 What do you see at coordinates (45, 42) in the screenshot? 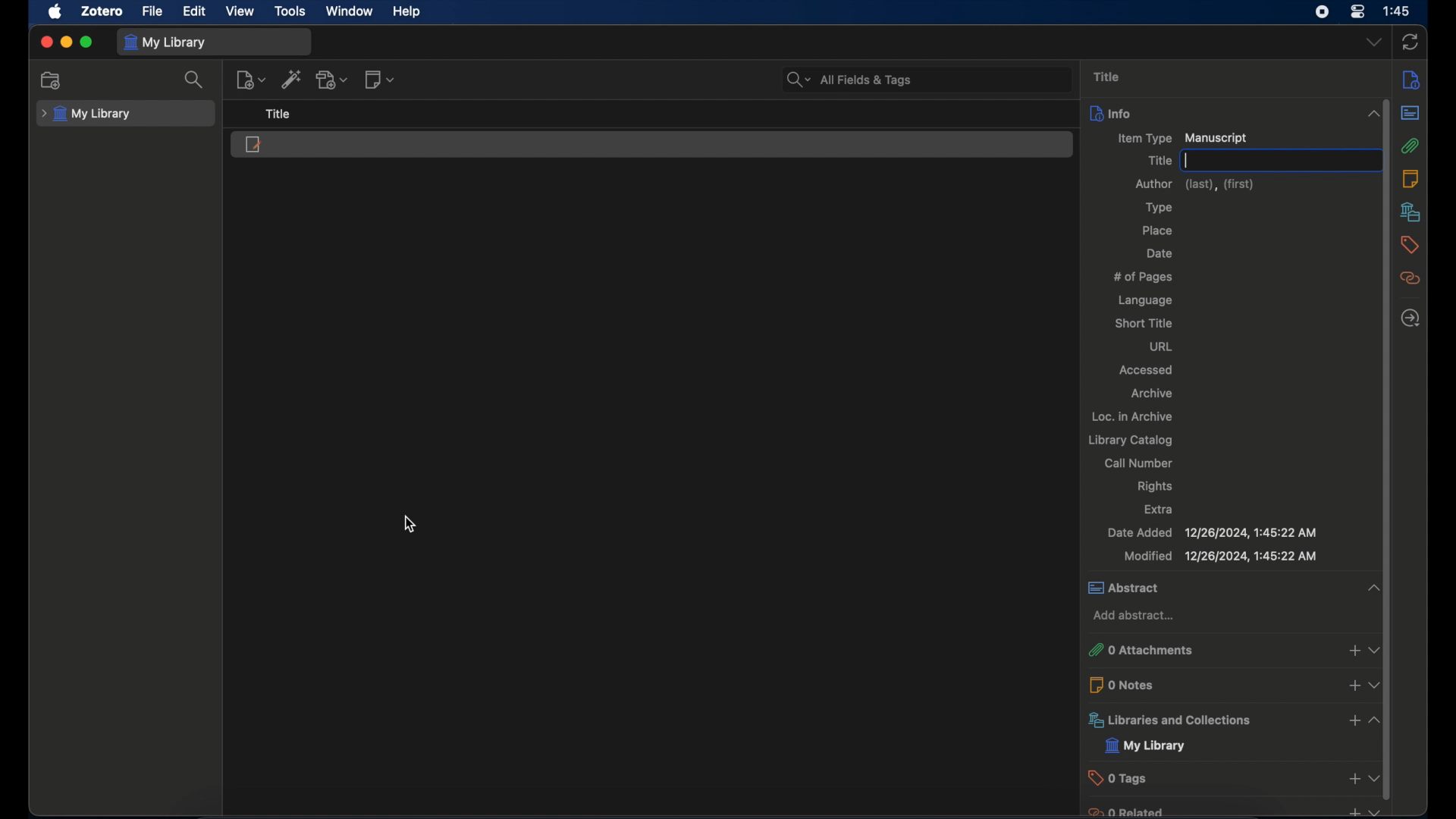
I see `close` at bounding box center [45, 42].